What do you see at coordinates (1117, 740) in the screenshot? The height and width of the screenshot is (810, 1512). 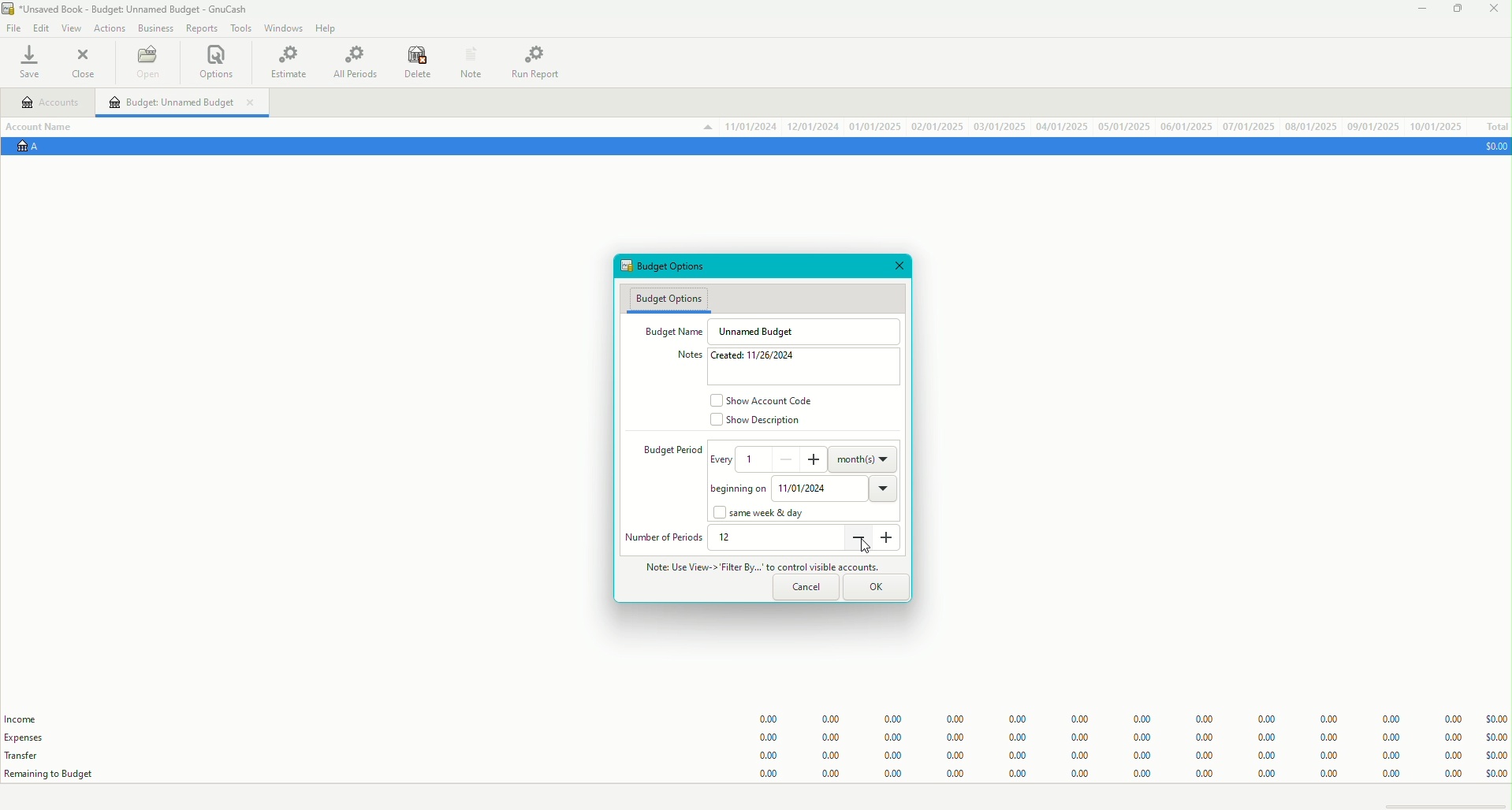 I see `Budget Data` at bounding box center [1117, 740].